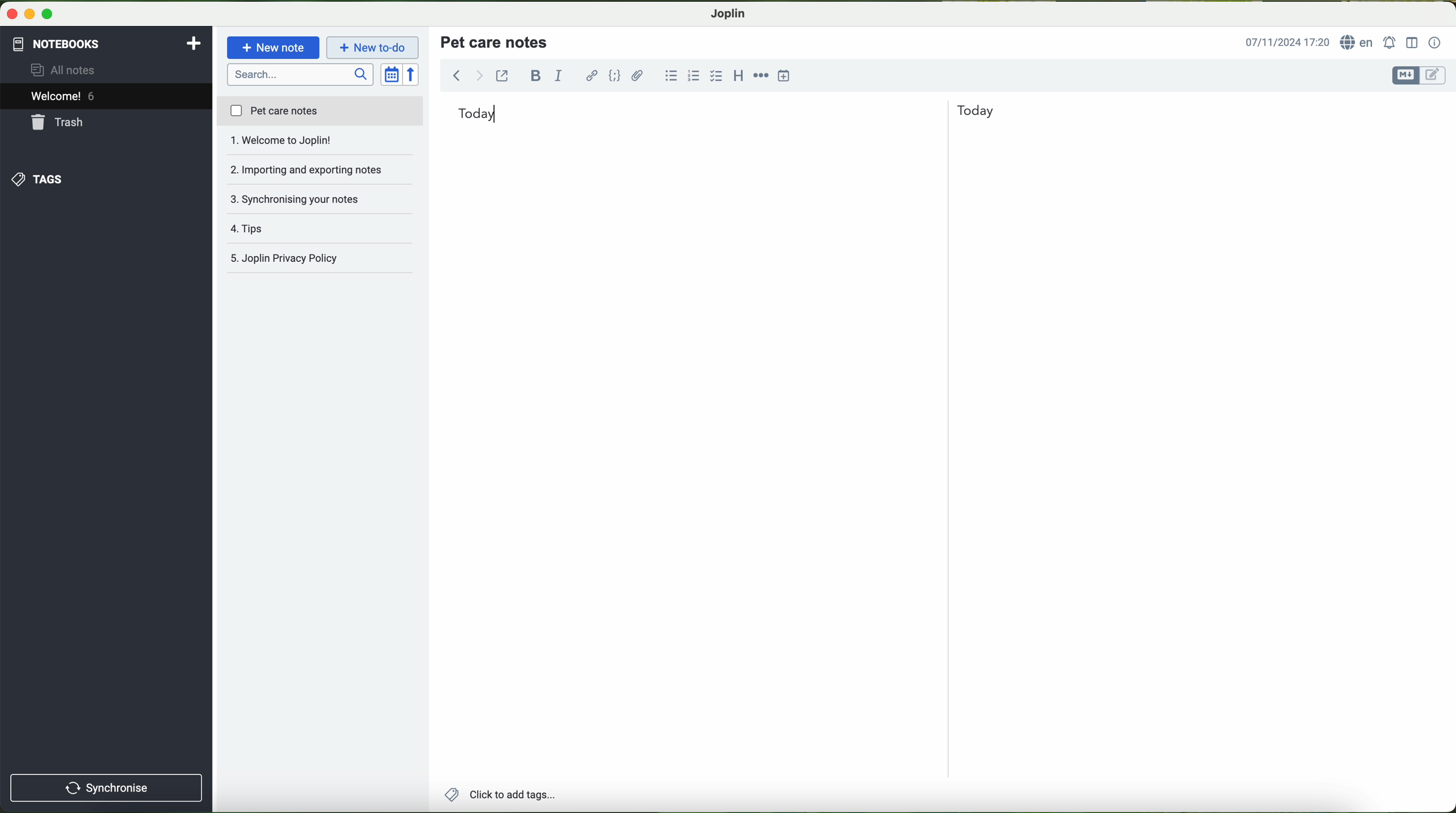 The width and height of the screenshot is (1456, 813). I want to click on toggle editors, so click(1418, 76).